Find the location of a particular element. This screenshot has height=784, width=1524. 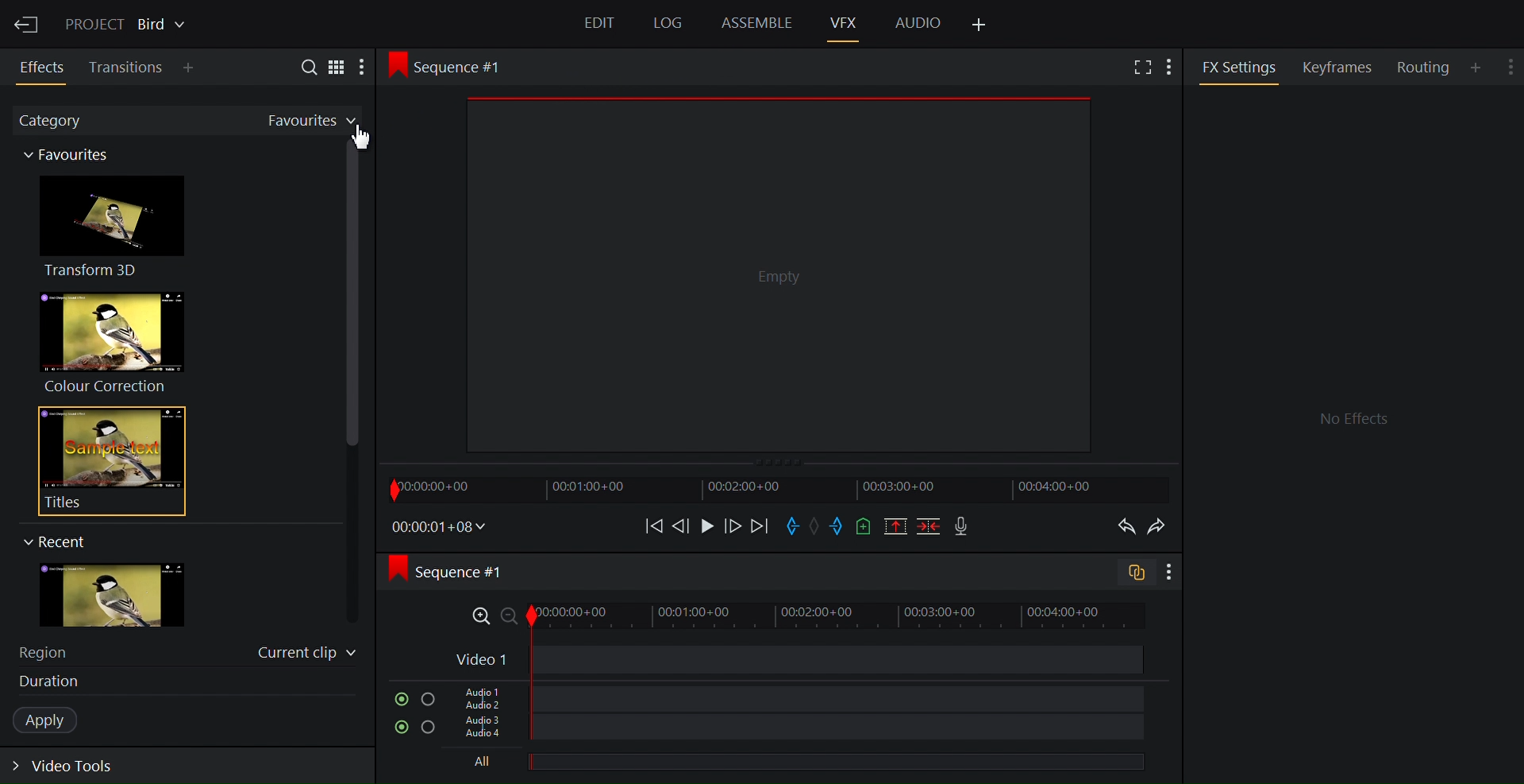

Mute/Unmute is located at coordinates (401, 699).